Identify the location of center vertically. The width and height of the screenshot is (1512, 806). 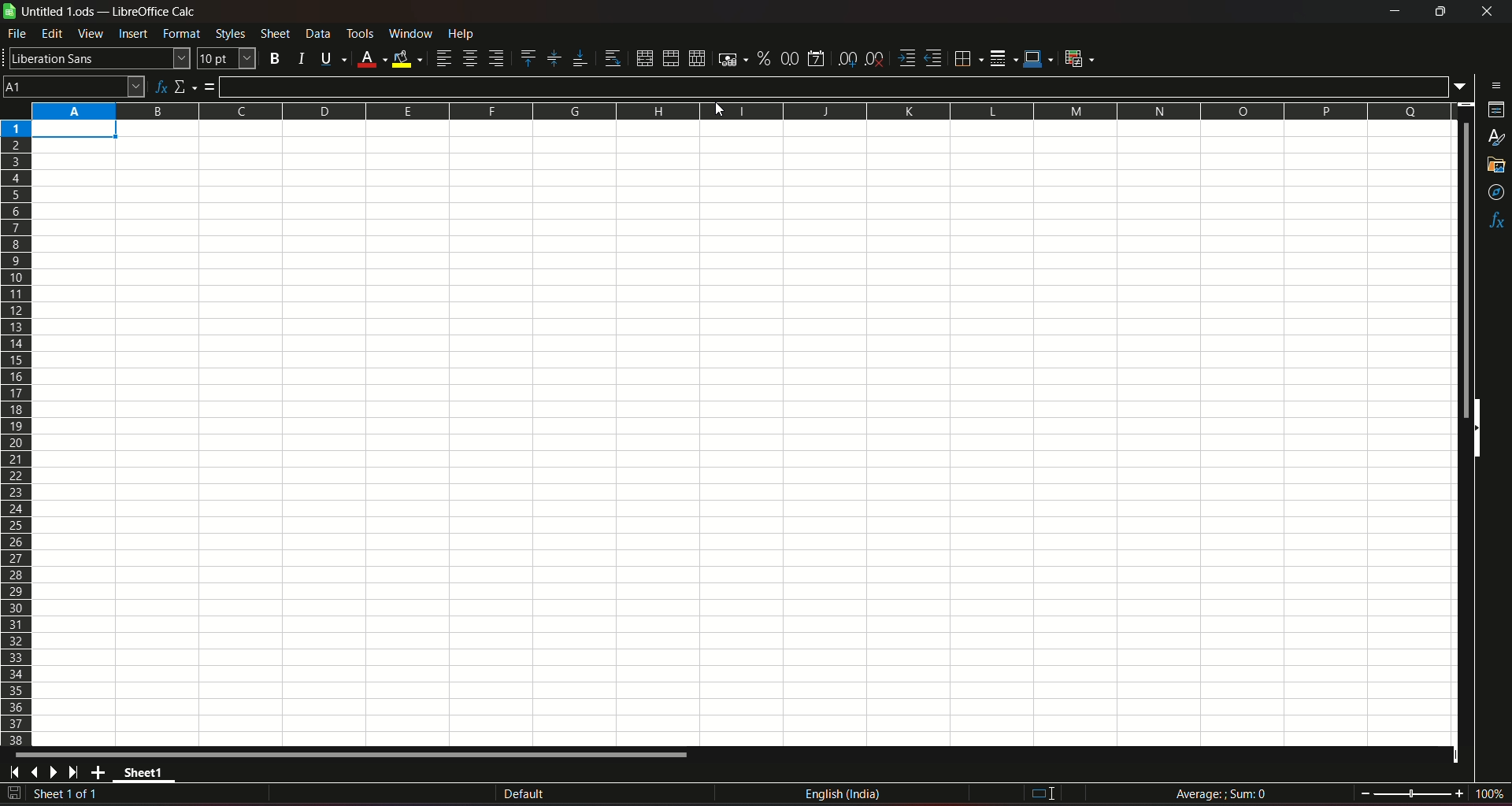
(553, 58).